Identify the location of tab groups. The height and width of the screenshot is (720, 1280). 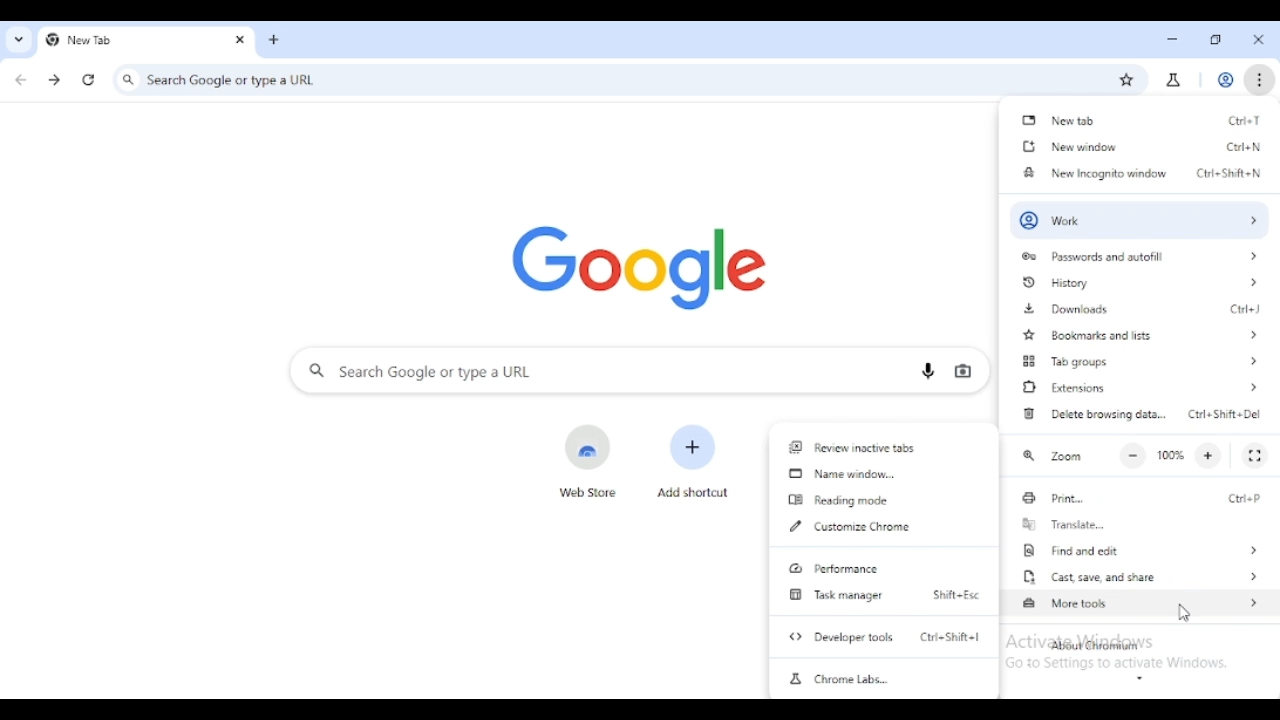
(1139, 362).